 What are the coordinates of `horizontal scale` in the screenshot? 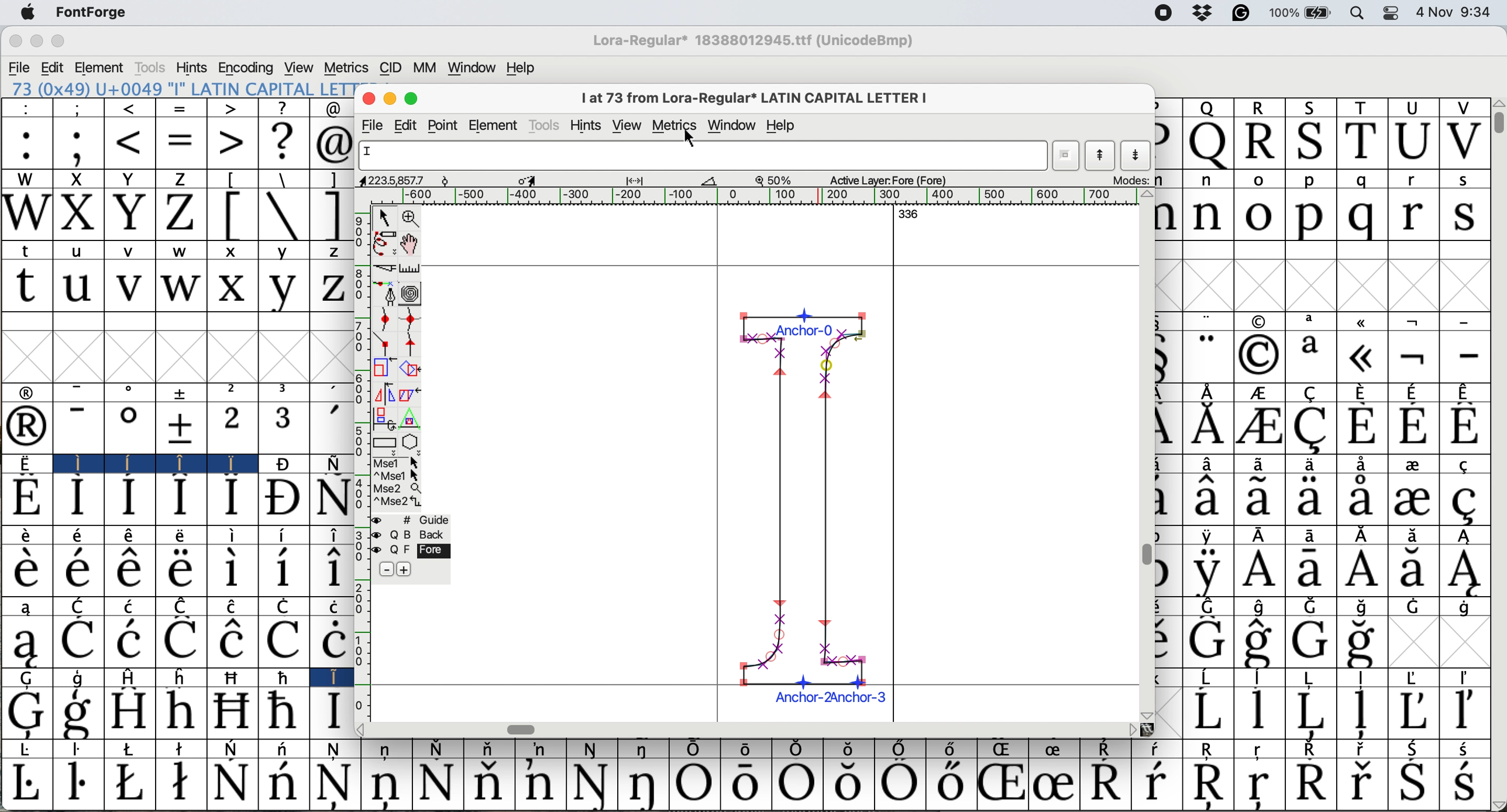 It's located at (753, 196).